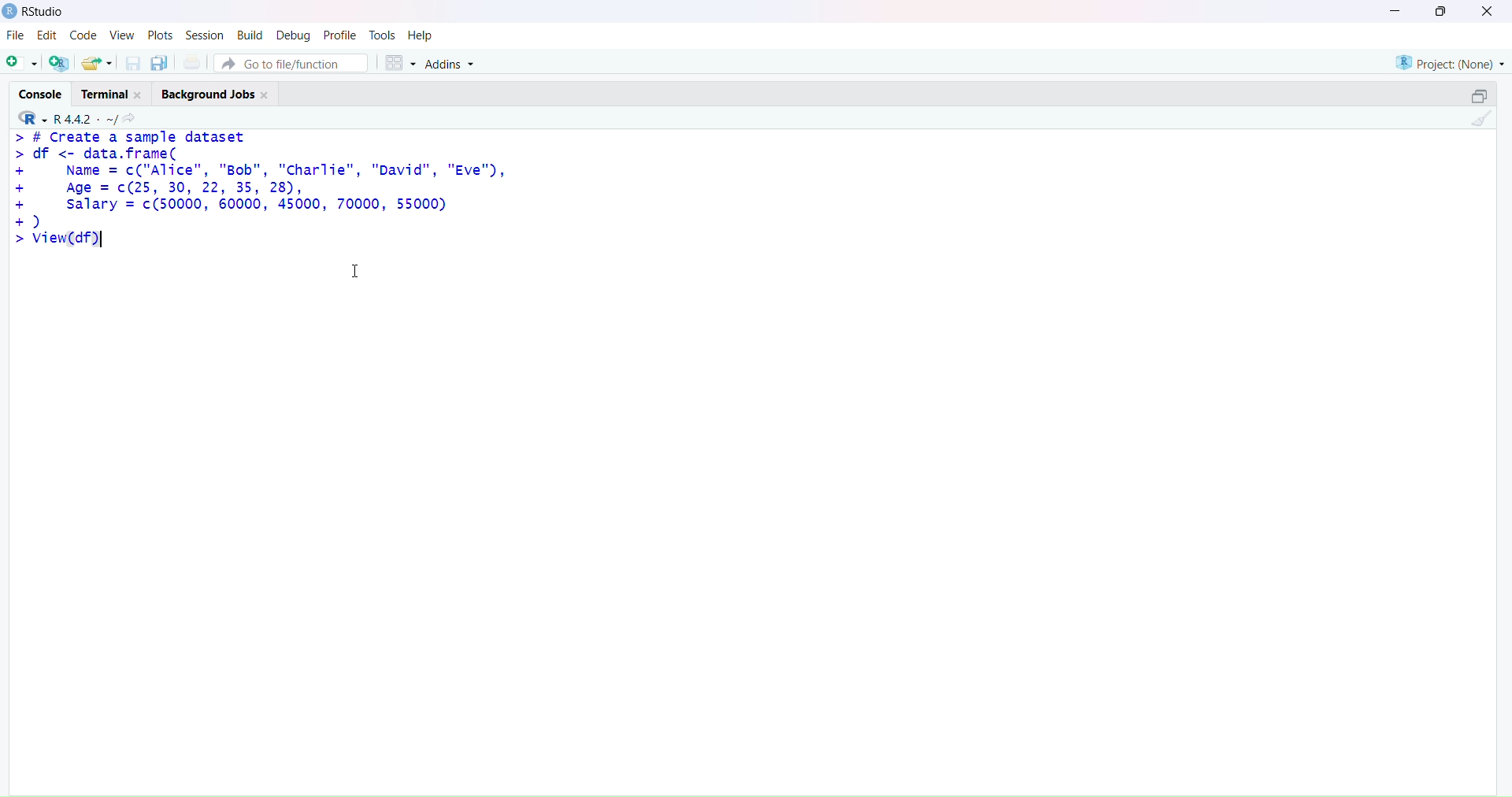 Image resolution: width=1512 pixels, height=797 pixels. What do you see at coordinates (121, 34) in the screenshot?
I see `view` at bounding box center [121, 34].